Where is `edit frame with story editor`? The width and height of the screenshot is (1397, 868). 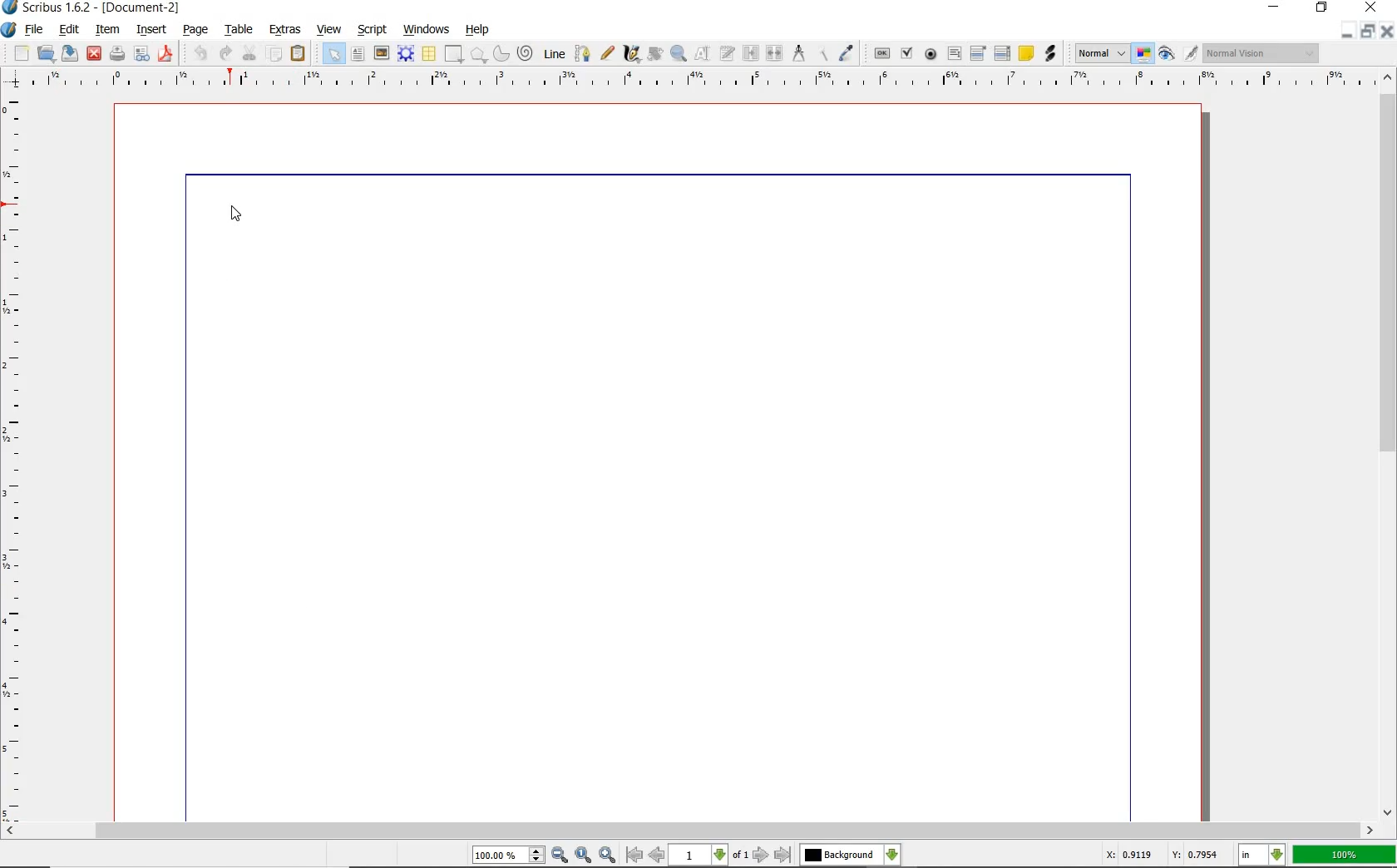 edit frame with story editor is located at coordinates (725, 55).